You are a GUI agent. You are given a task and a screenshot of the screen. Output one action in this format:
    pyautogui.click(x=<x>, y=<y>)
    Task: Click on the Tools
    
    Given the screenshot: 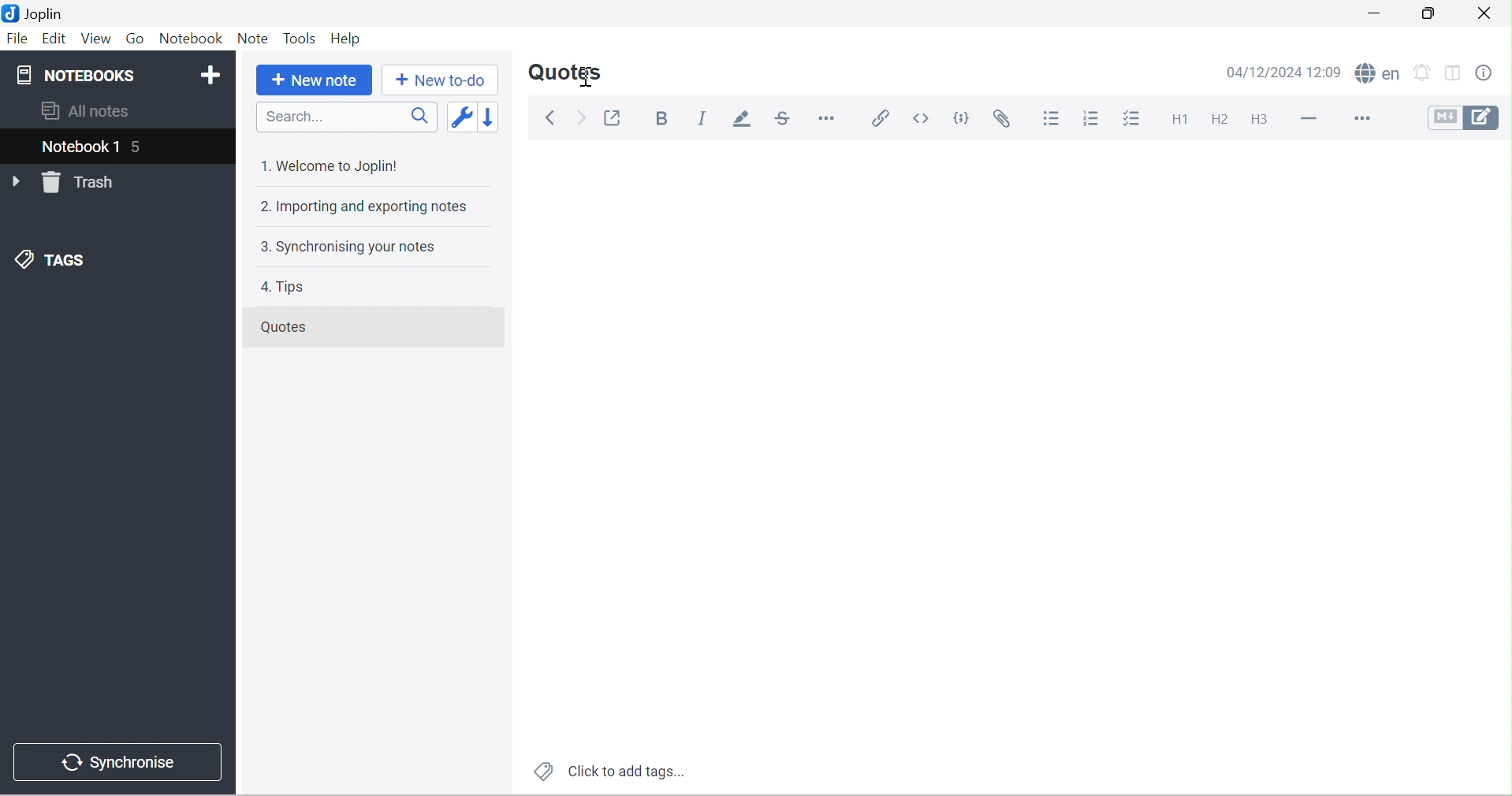 What is the action you would take?
    pyautogui.click(x=301, y=38)
    